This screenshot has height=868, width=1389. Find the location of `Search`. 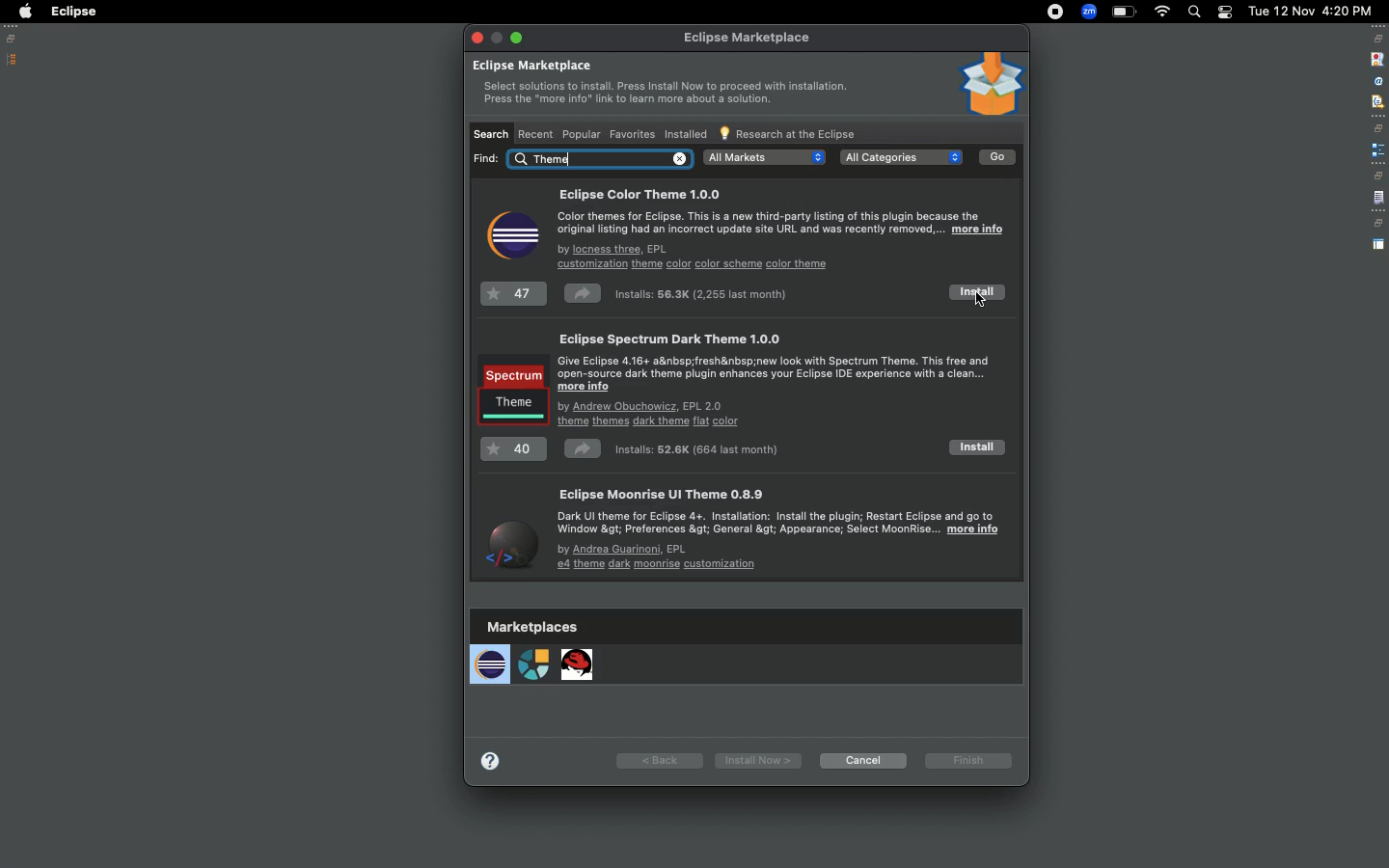

Search is located at coordinates (1193, 12).